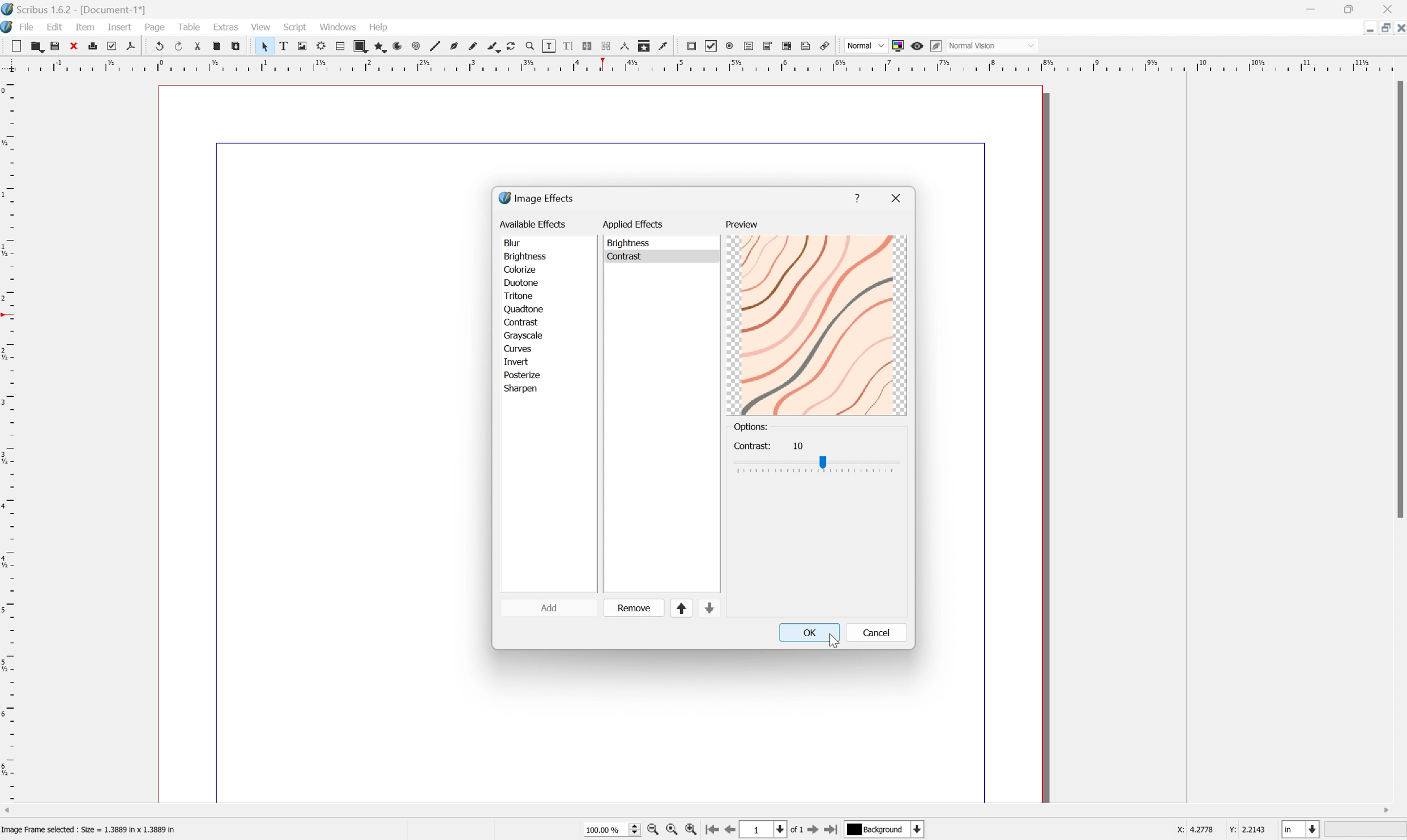  I want to click on Cursor, so click(836, 641).